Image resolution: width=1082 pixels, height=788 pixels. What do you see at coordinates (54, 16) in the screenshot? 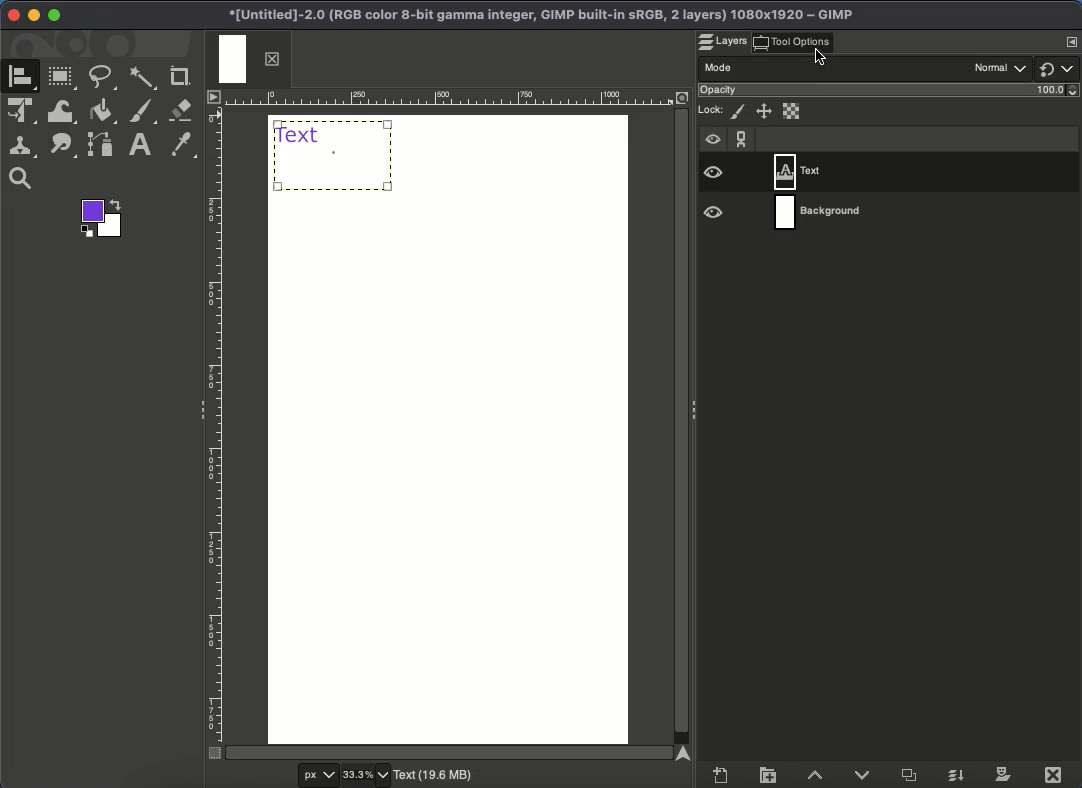
I see `Maximize` at bounding box center [54, 16].